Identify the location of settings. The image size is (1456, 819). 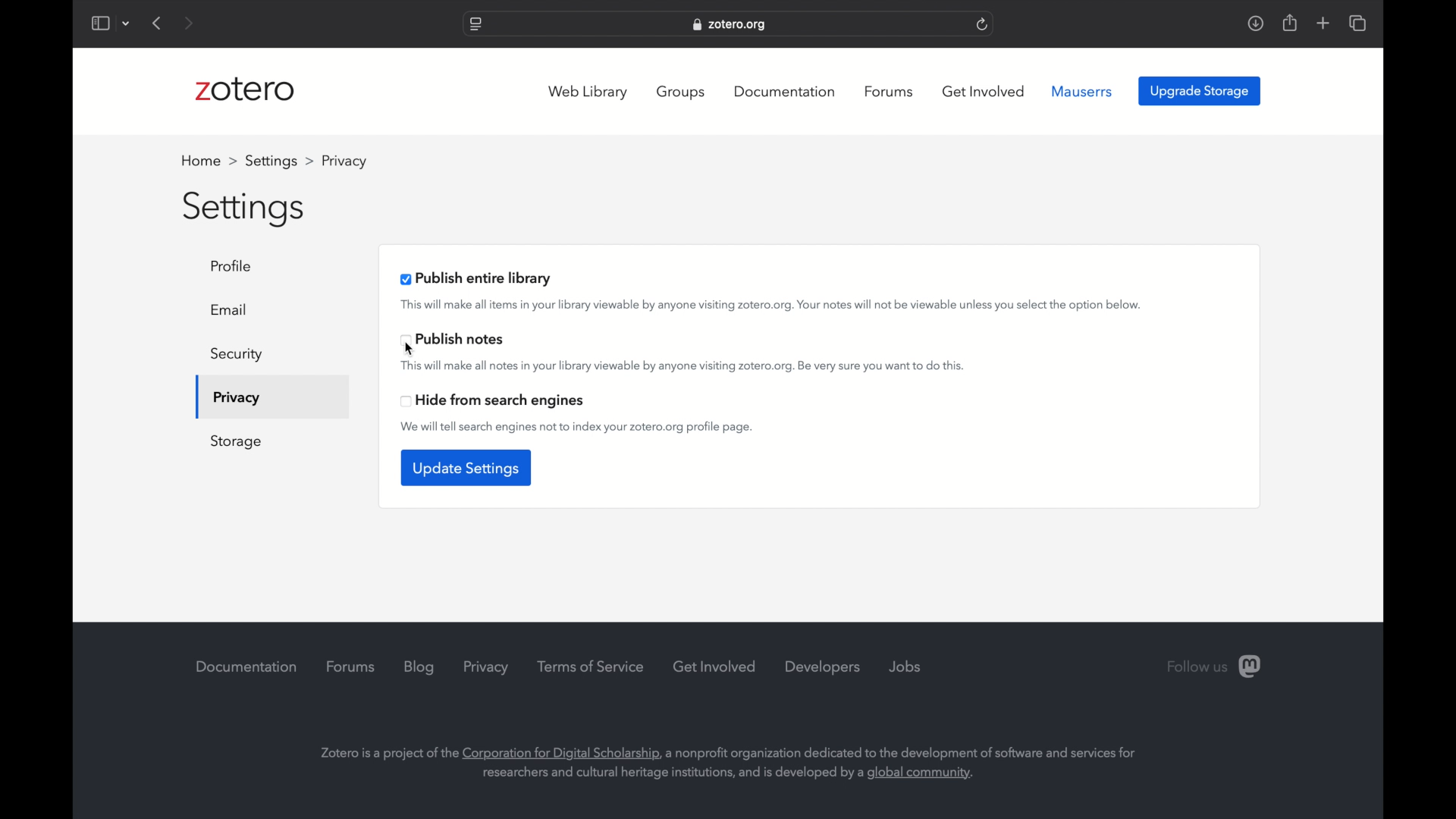
(245, 210).